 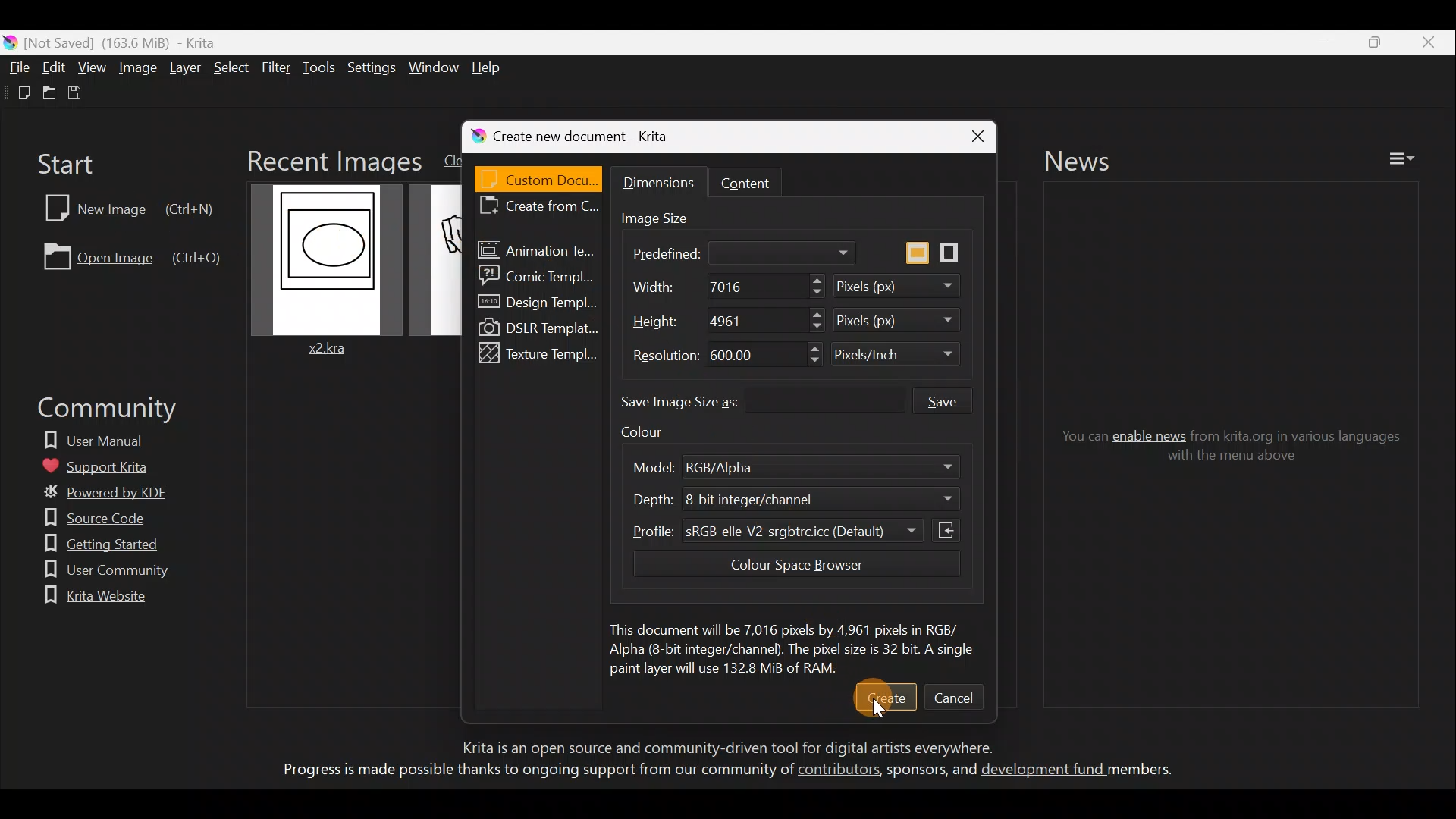 What do you see at coordinates (108, 463) in the screenshot?
I see `Support Krita` at bounding box center [108, 463].